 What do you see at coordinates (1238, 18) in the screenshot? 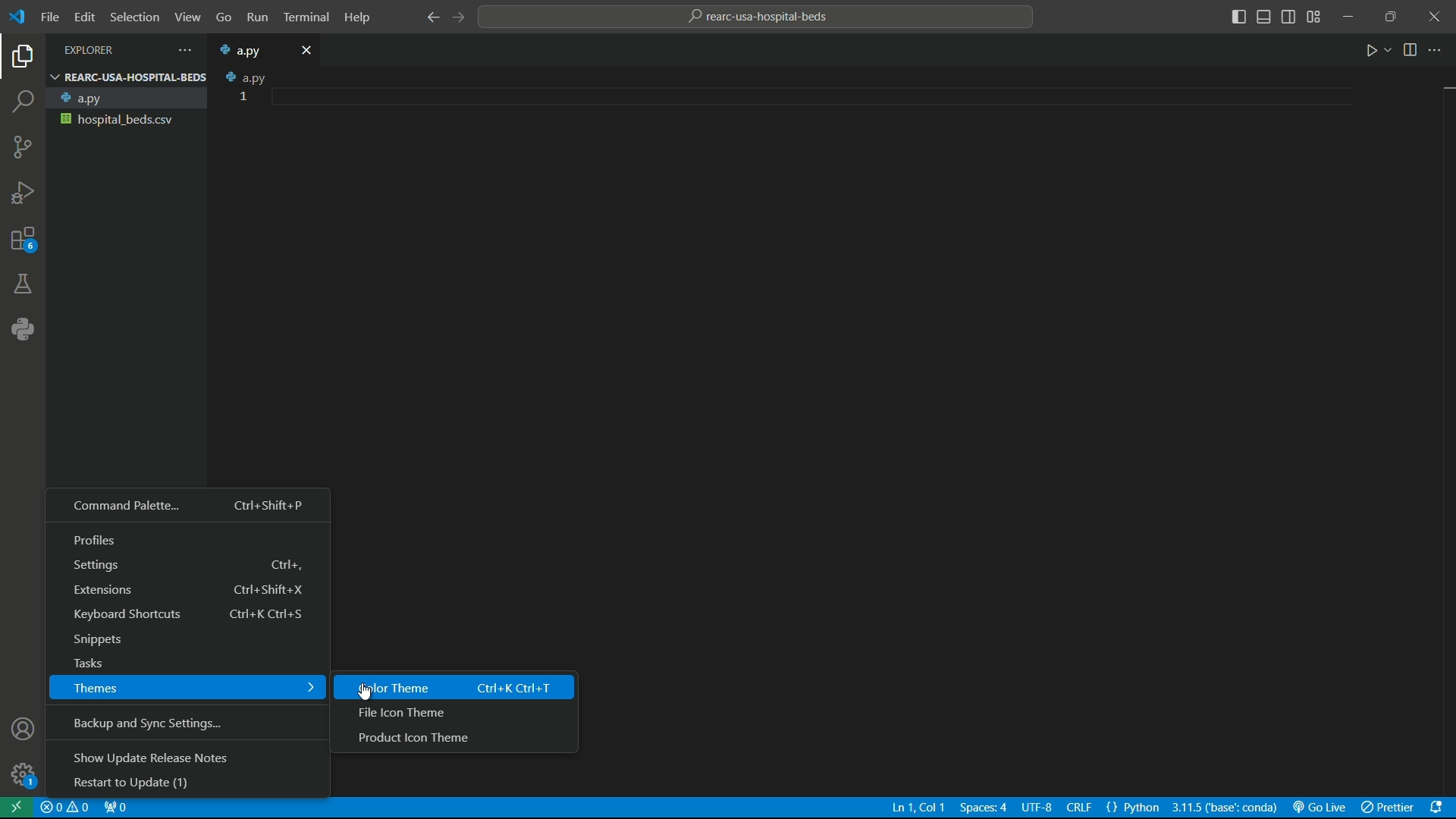
I see `toggle primary sidebar` at bounding box center [1238, 18].